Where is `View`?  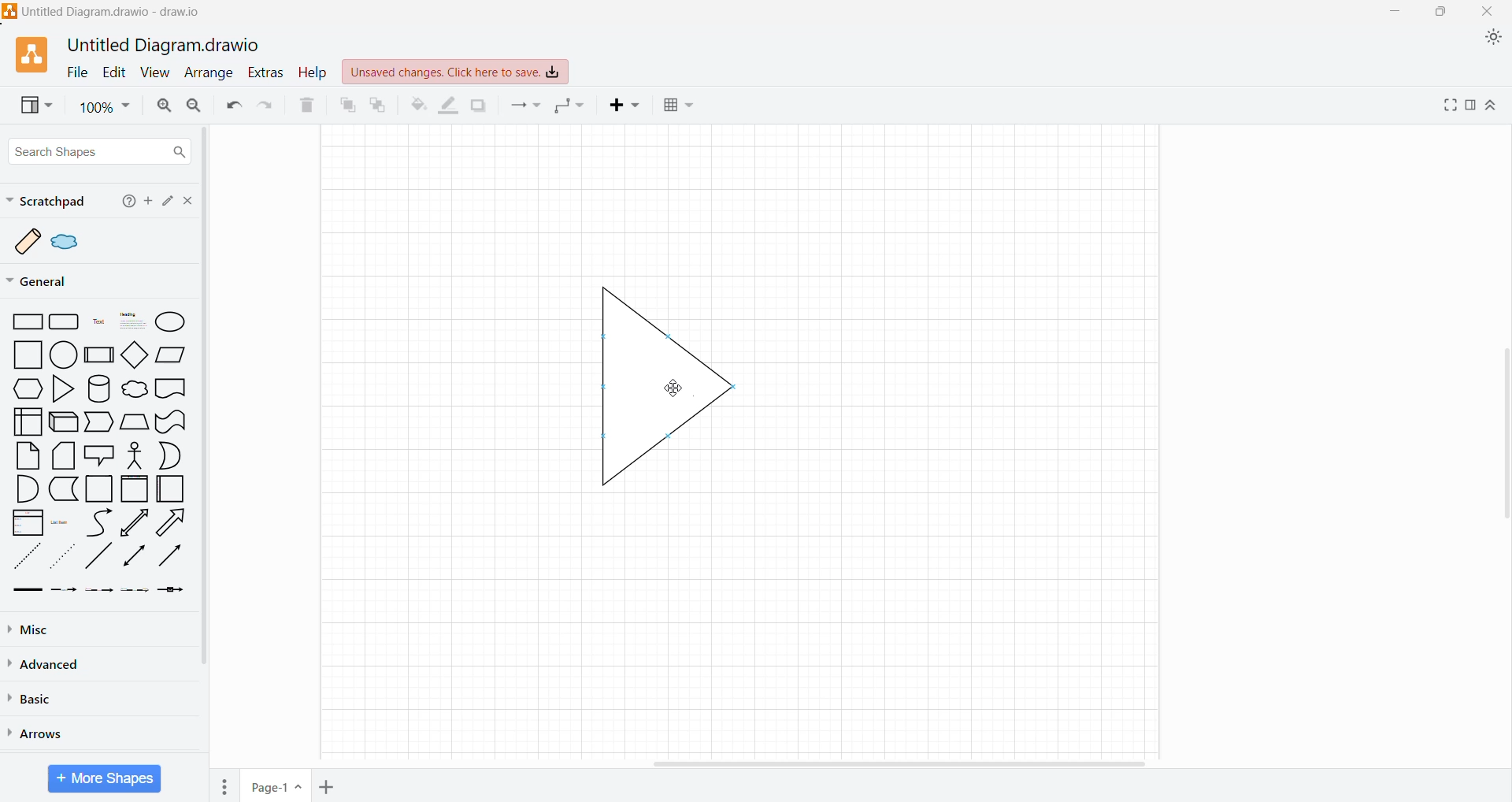
View is located at coordinates (29, 106).